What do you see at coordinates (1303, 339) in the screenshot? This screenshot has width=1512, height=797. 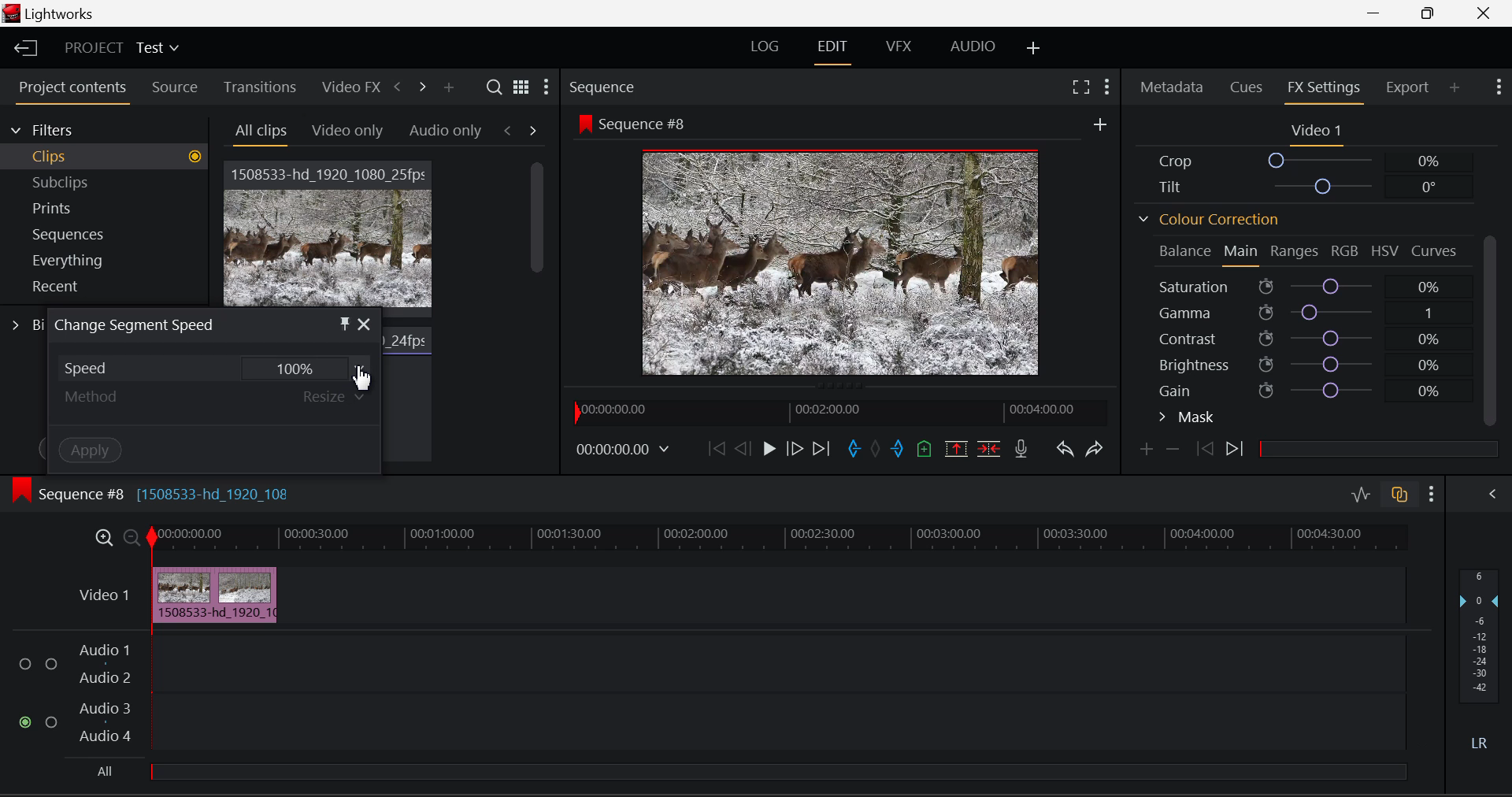 I see `Contrast` at bounding box center [1303, 339].